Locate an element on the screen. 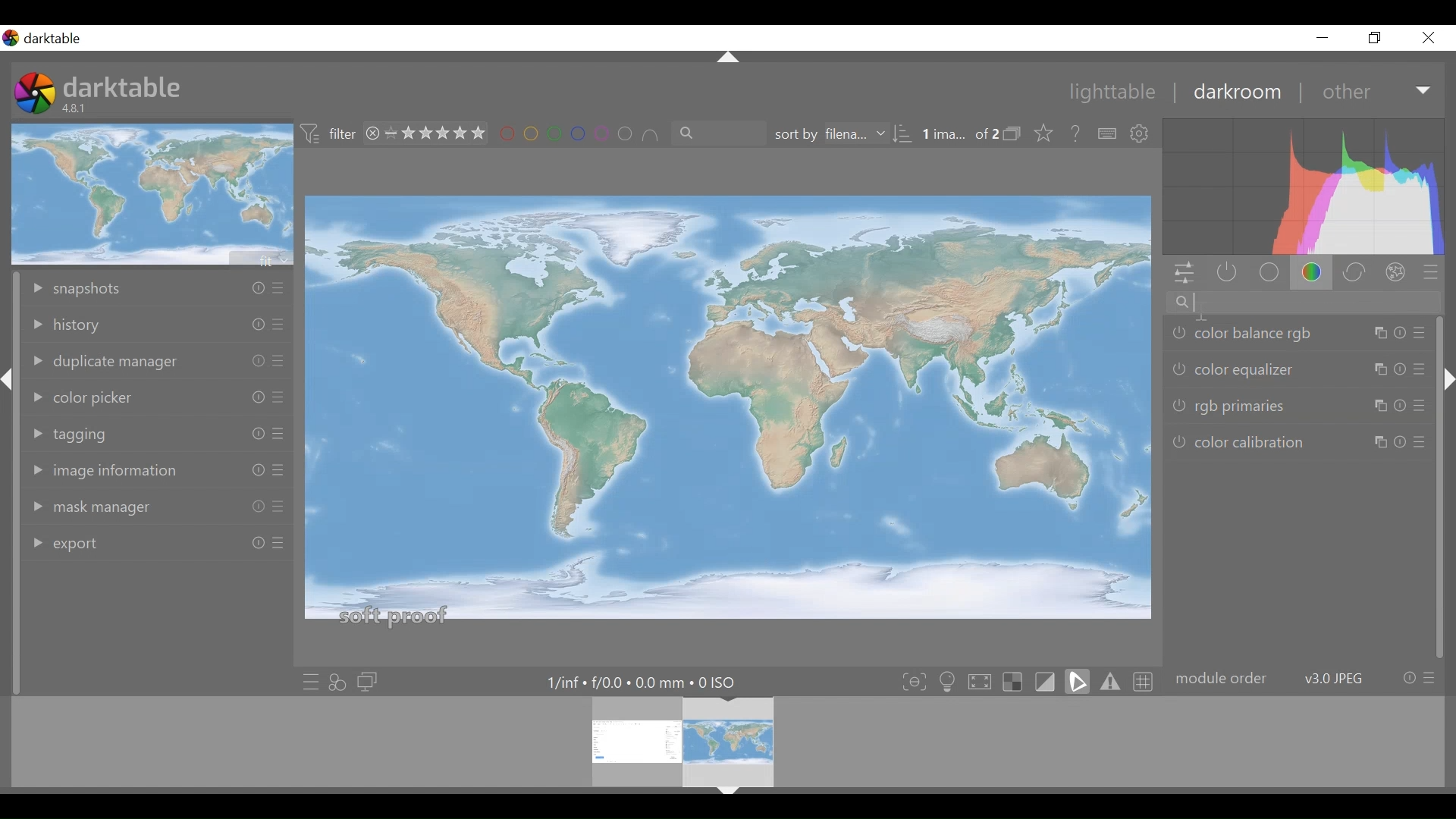 The height and width of the screenshot is (819, 1456). Close is located at coordinates (1429, 37).